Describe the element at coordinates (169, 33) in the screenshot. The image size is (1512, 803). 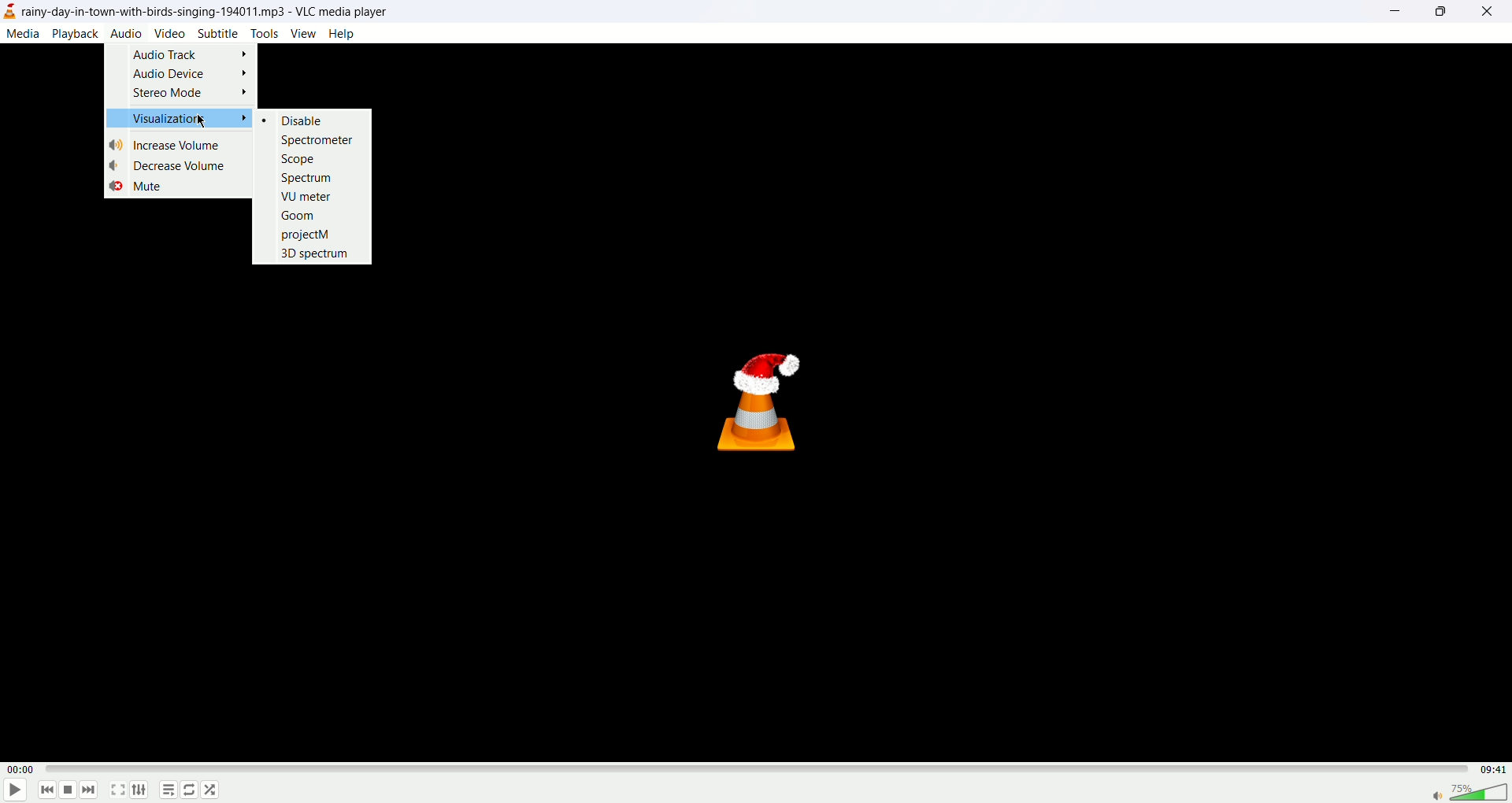
I see `video` at that location.